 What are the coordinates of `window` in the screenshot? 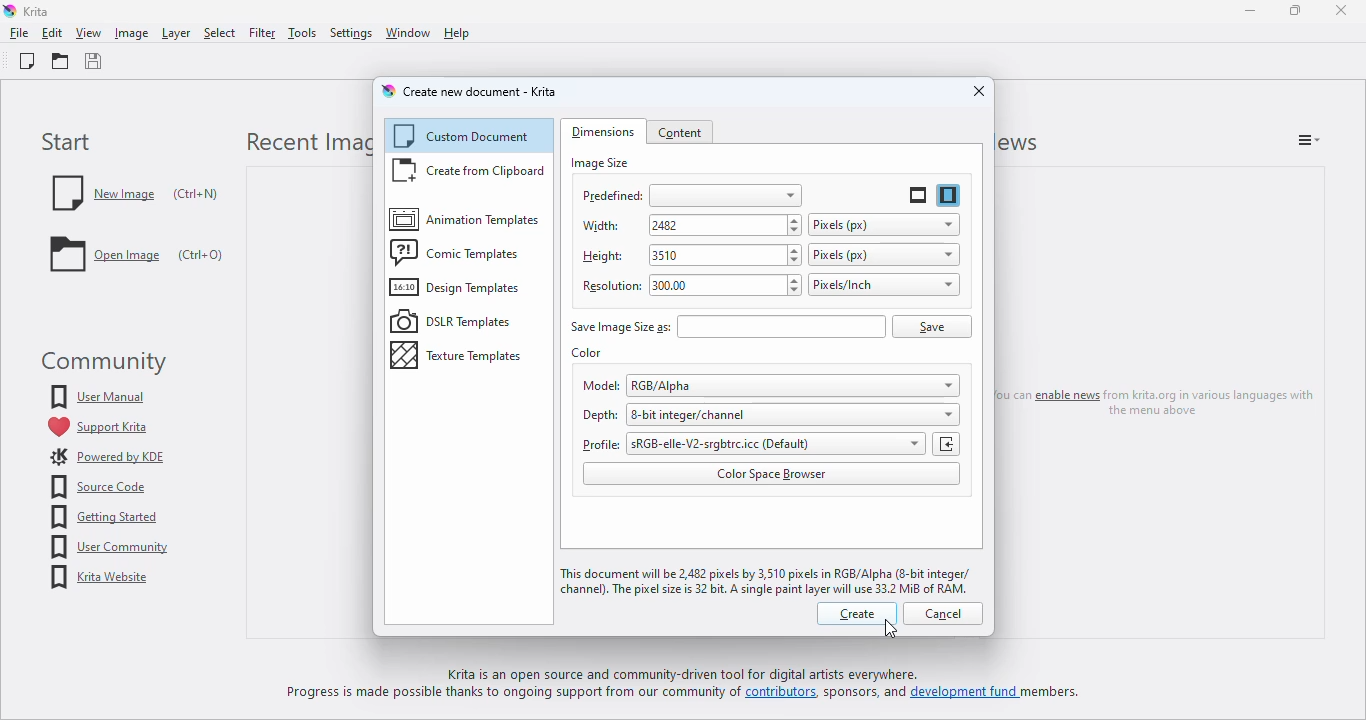 It's located at (406, 33).